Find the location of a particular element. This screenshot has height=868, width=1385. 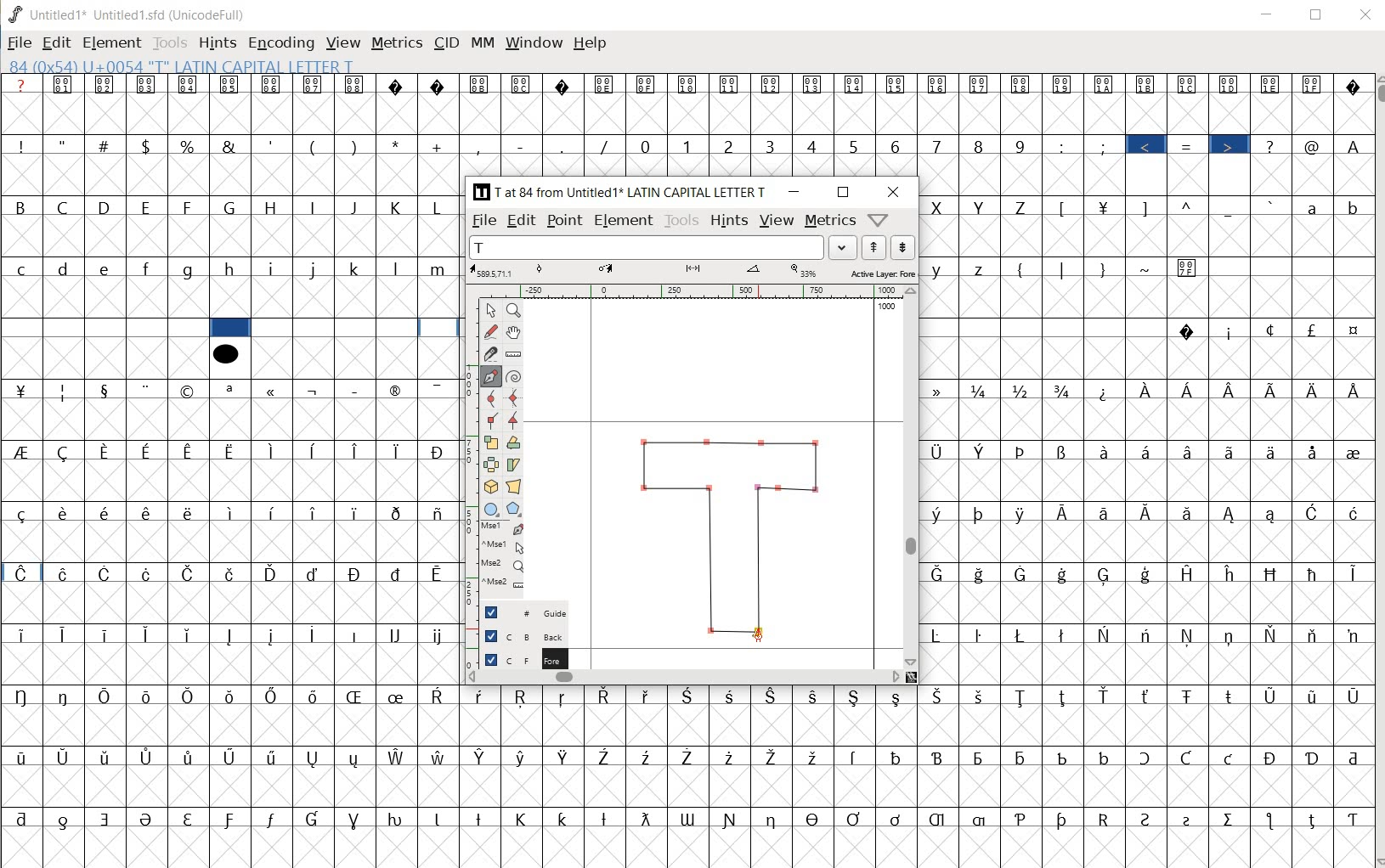

Symbol is located at coordinates (357, 389).